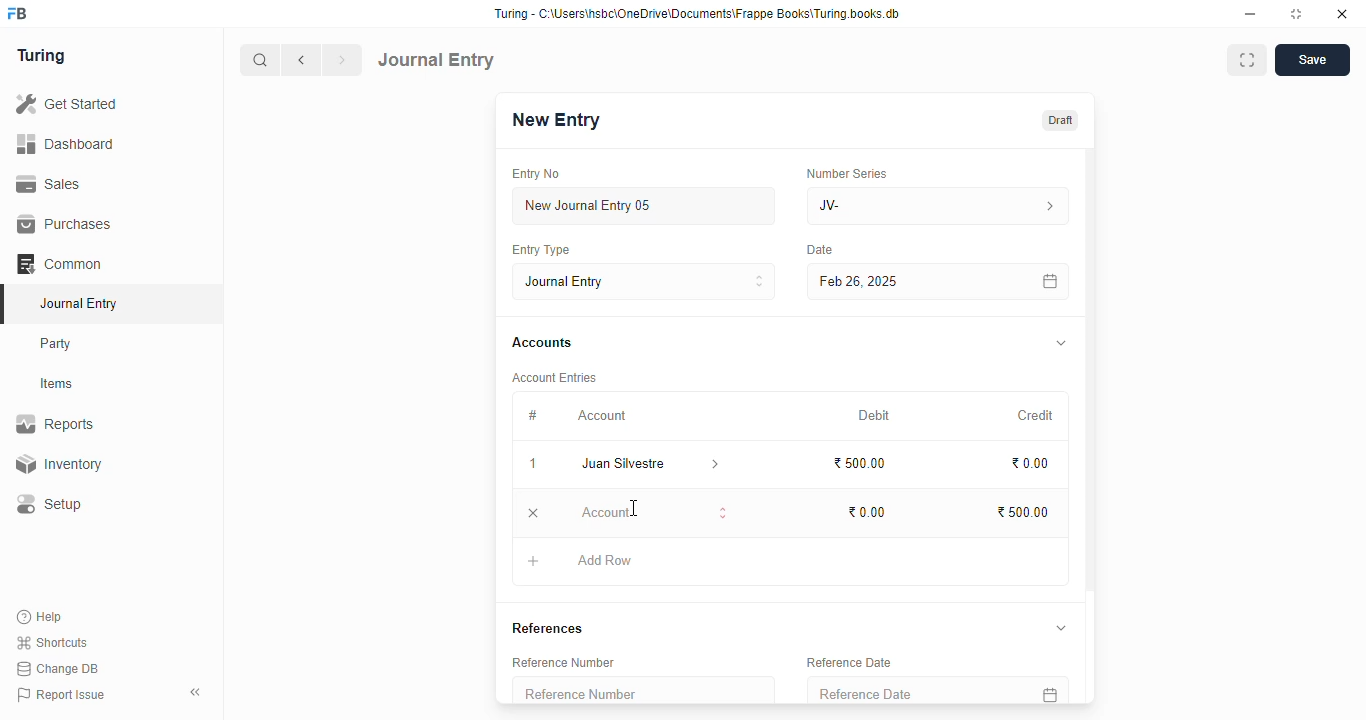 Image resolution: width=1366 pixels, height=720 pixels. Describe the element at coordinates (344, 60) in the screenshot. I see `next` at that location.